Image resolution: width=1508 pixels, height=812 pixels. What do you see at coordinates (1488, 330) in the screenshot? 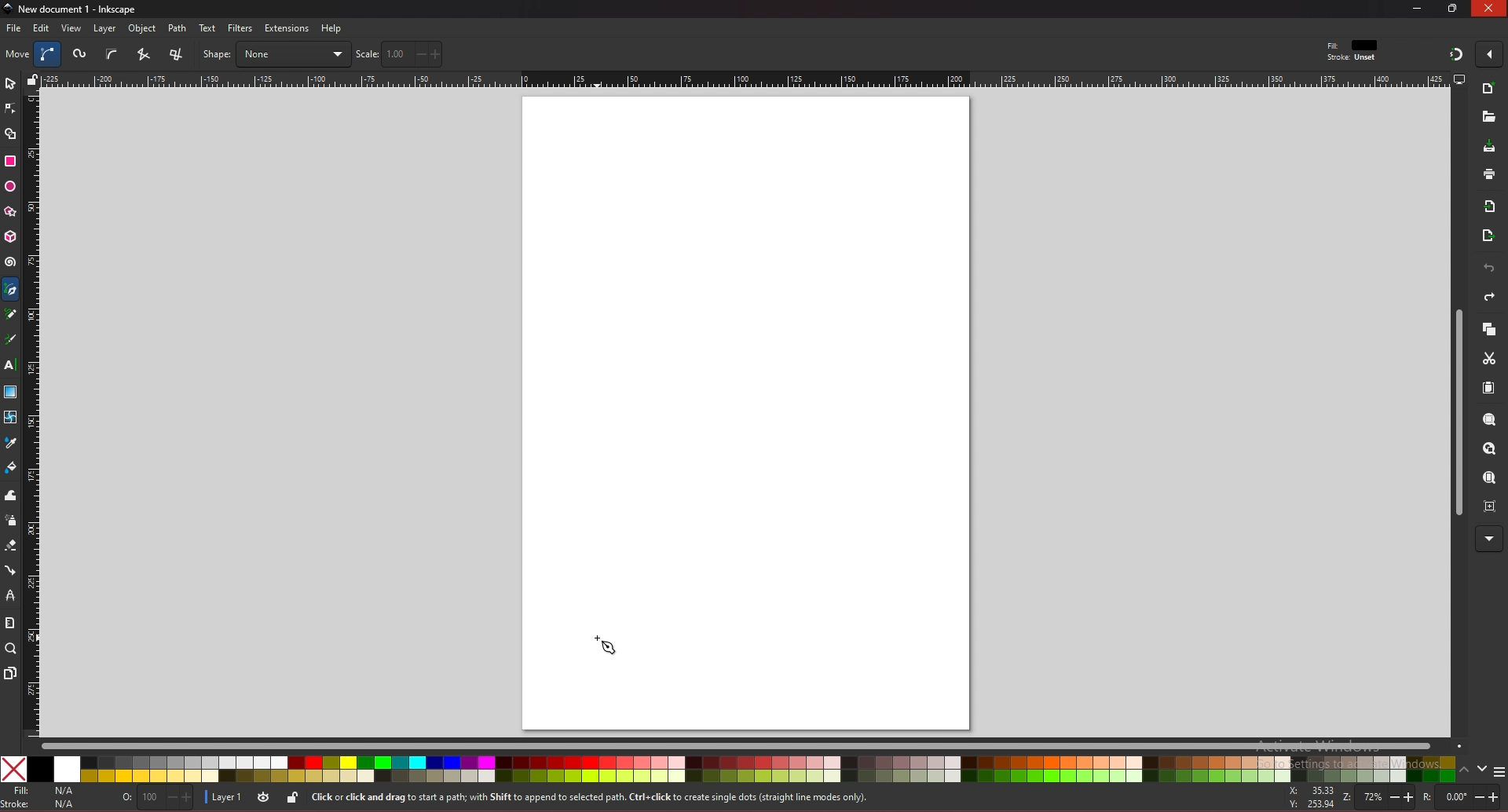
I see `copy` at bounding box center [1488, 330].